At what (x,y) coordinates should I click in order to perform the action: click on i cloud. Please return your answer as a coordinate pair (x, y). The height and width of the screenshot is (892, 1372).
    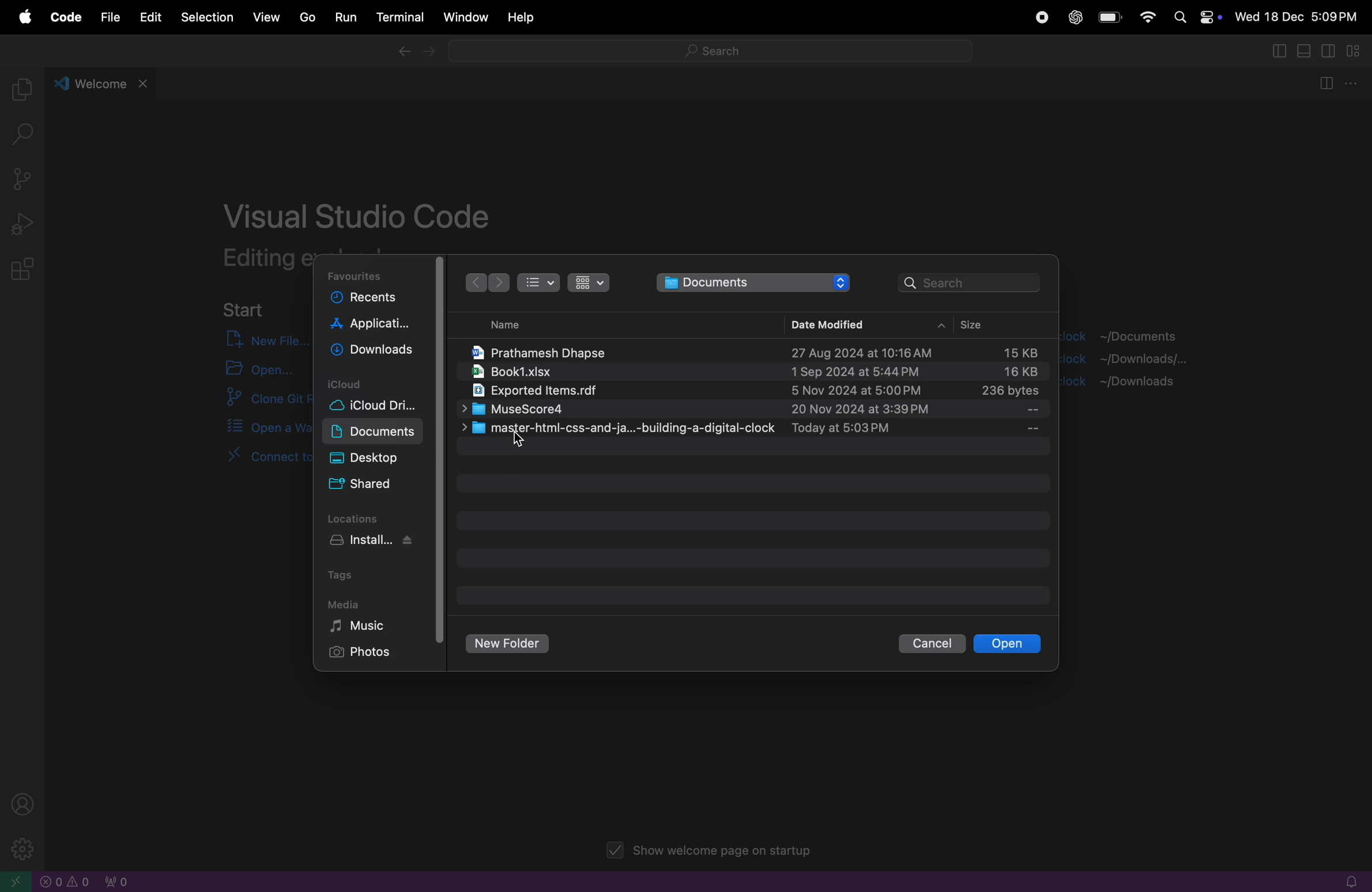
    Looking at the image, I should click on (375, 383).